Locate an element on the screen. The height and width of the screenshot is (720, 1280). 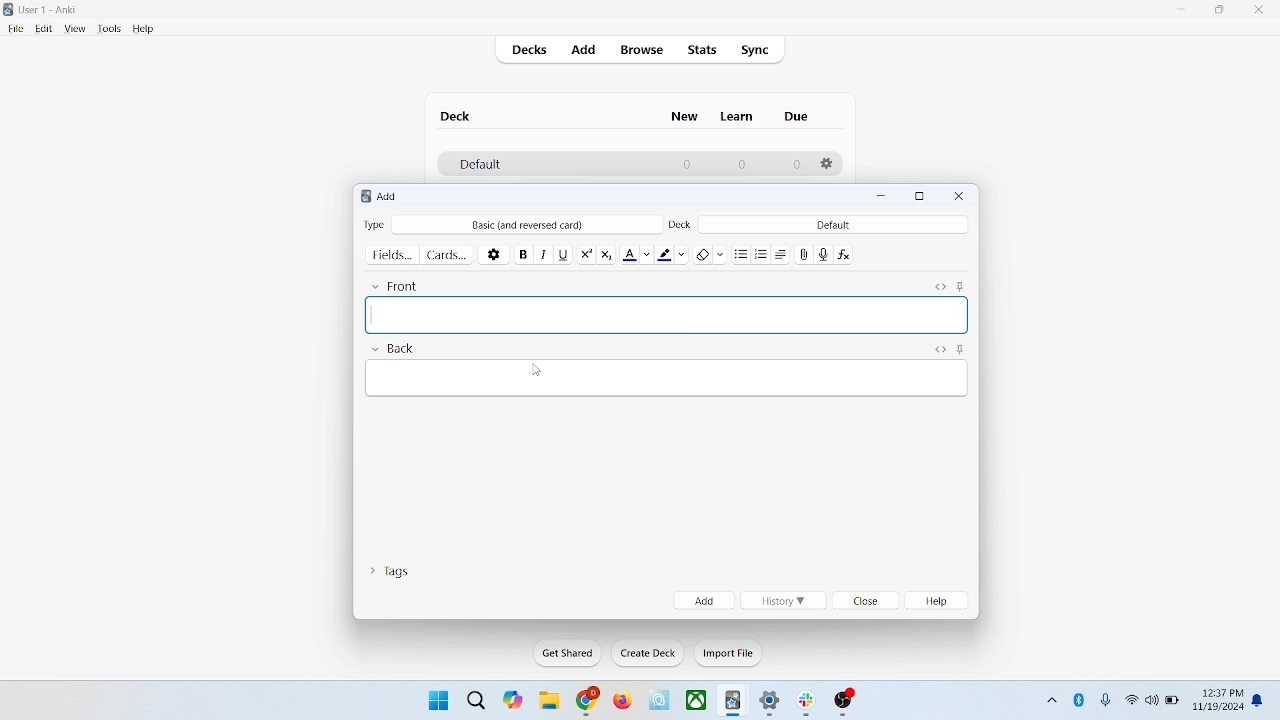
fields is located at coordinates (392, 253).